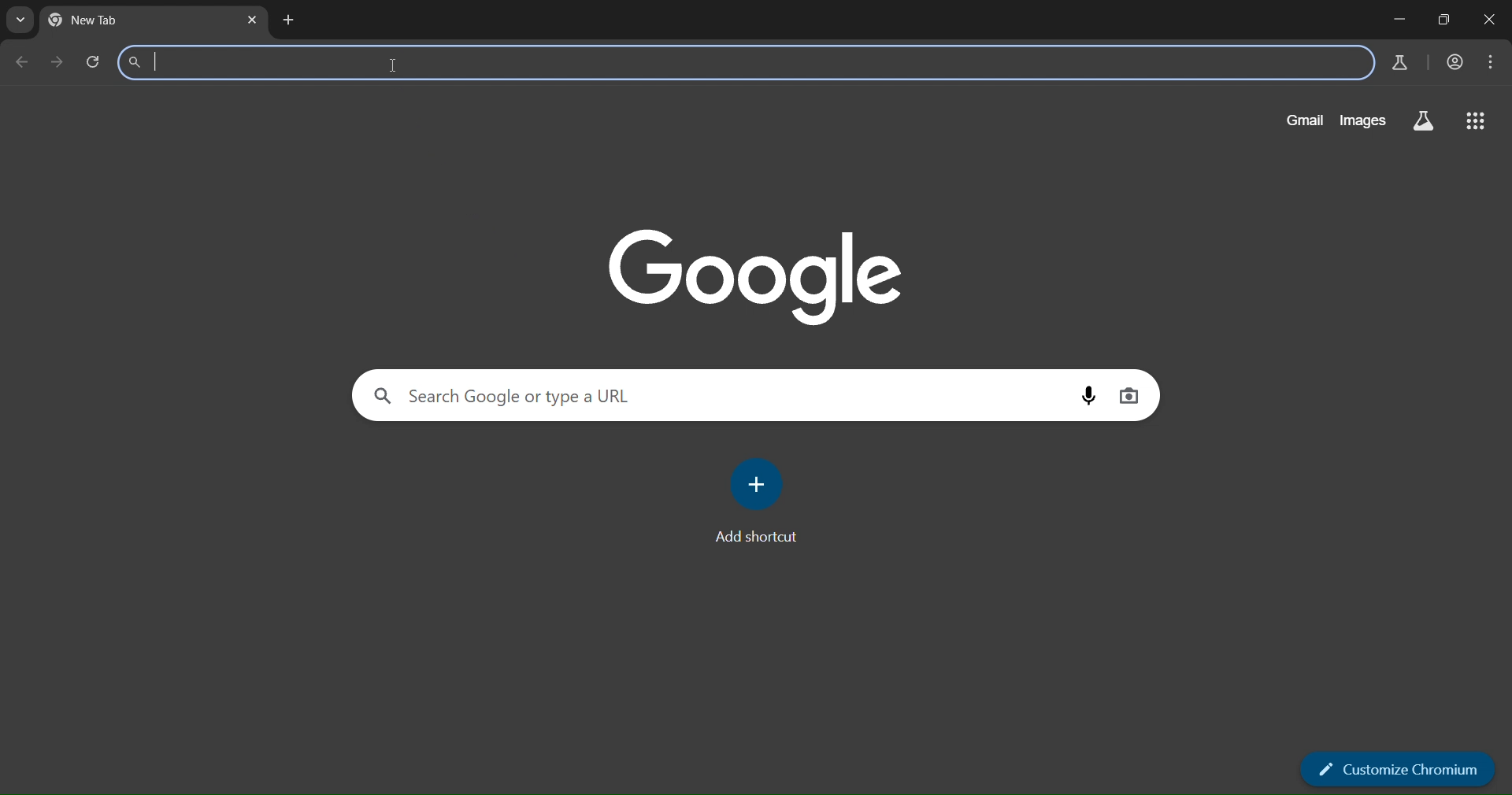 Image resolution: width=1512 pixels, height=795 pixels. I want to click on search labs, so click(1421, 121).